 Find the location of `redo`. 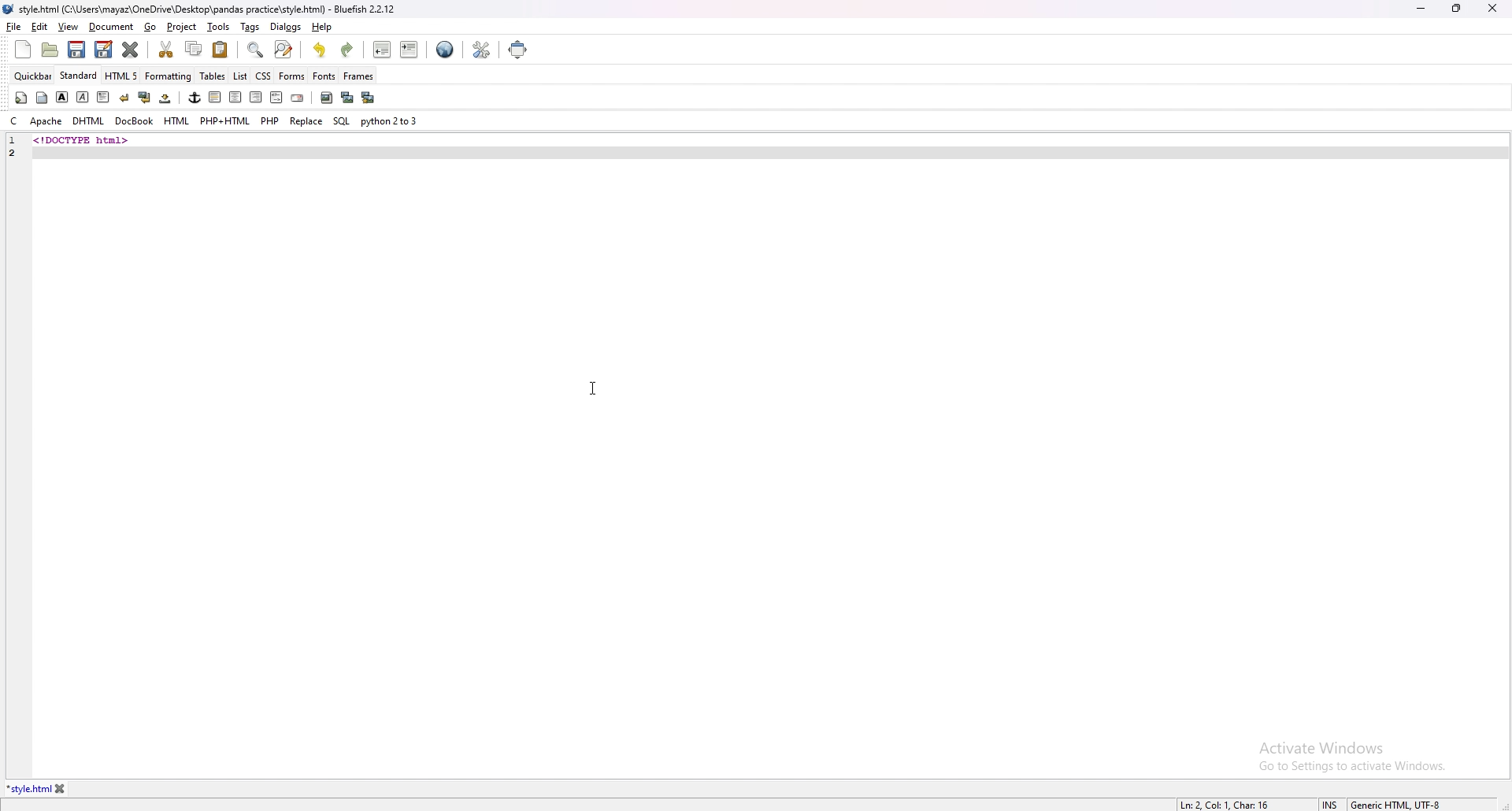

redo is located at coordinates (346, 50).